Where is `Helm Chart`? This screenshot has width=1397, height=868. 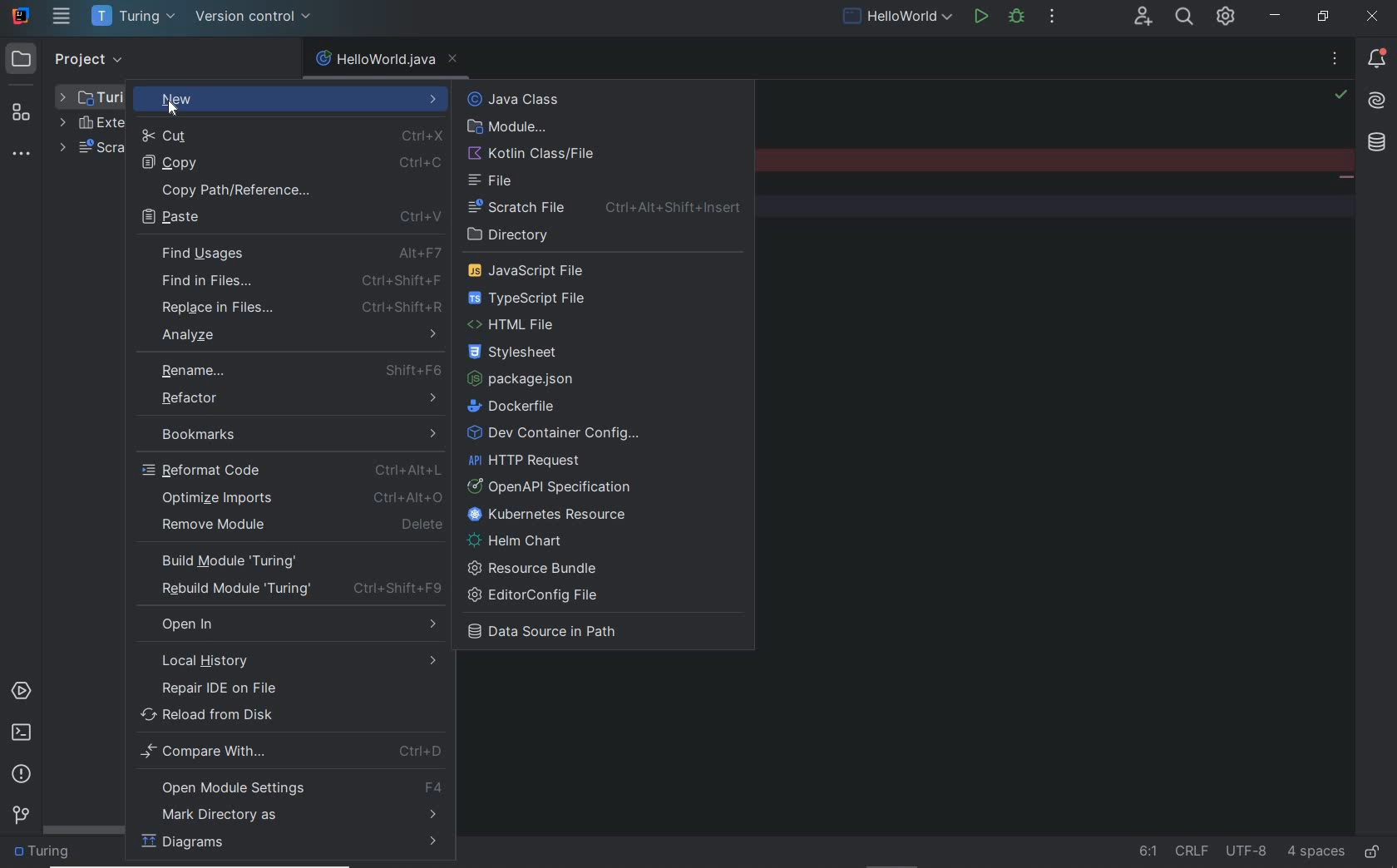 Helm Chart is located at coordinates (521, 540).